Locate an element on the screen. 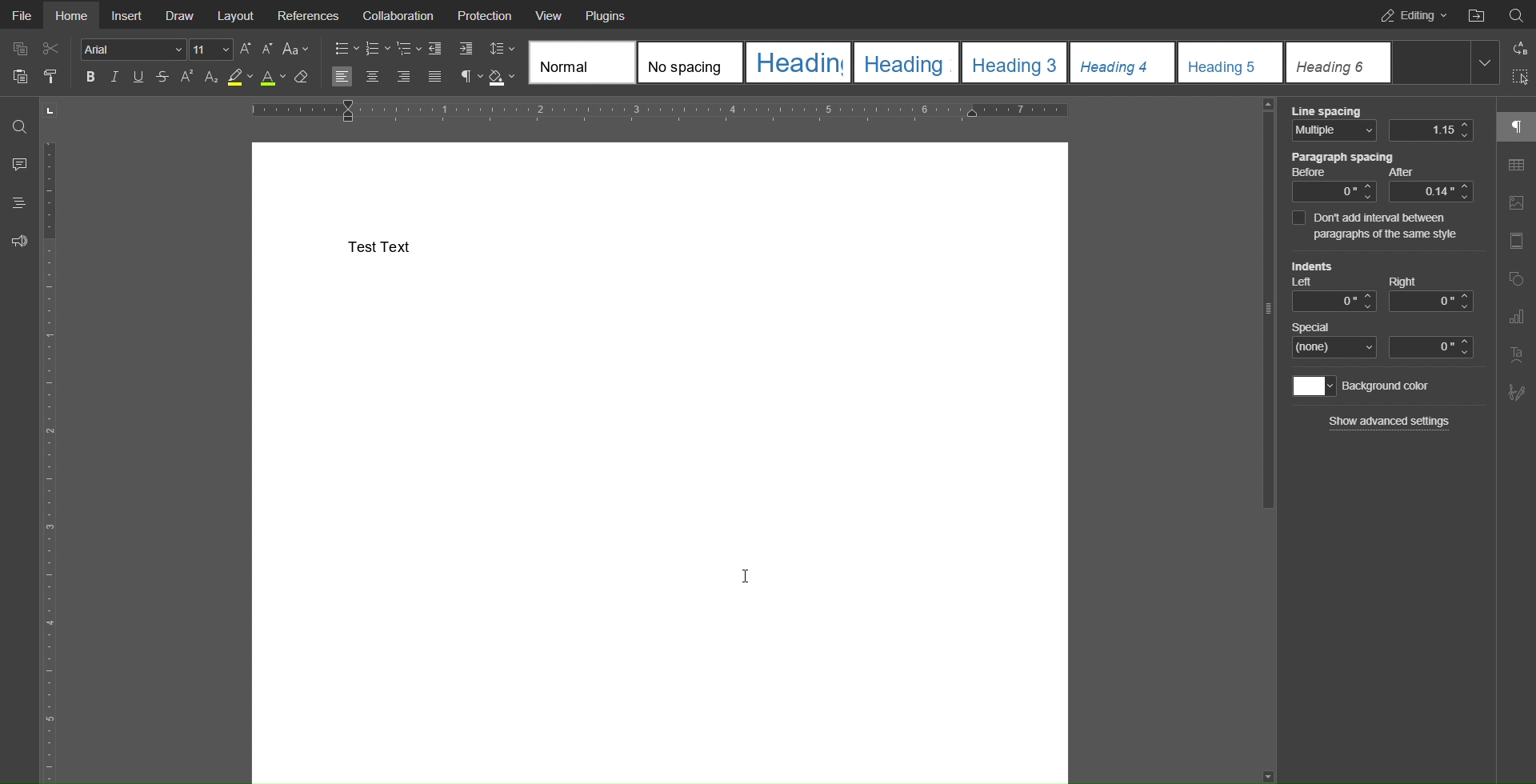 The image size is (1536, 784). Search is located at coordinates (1516, 13).